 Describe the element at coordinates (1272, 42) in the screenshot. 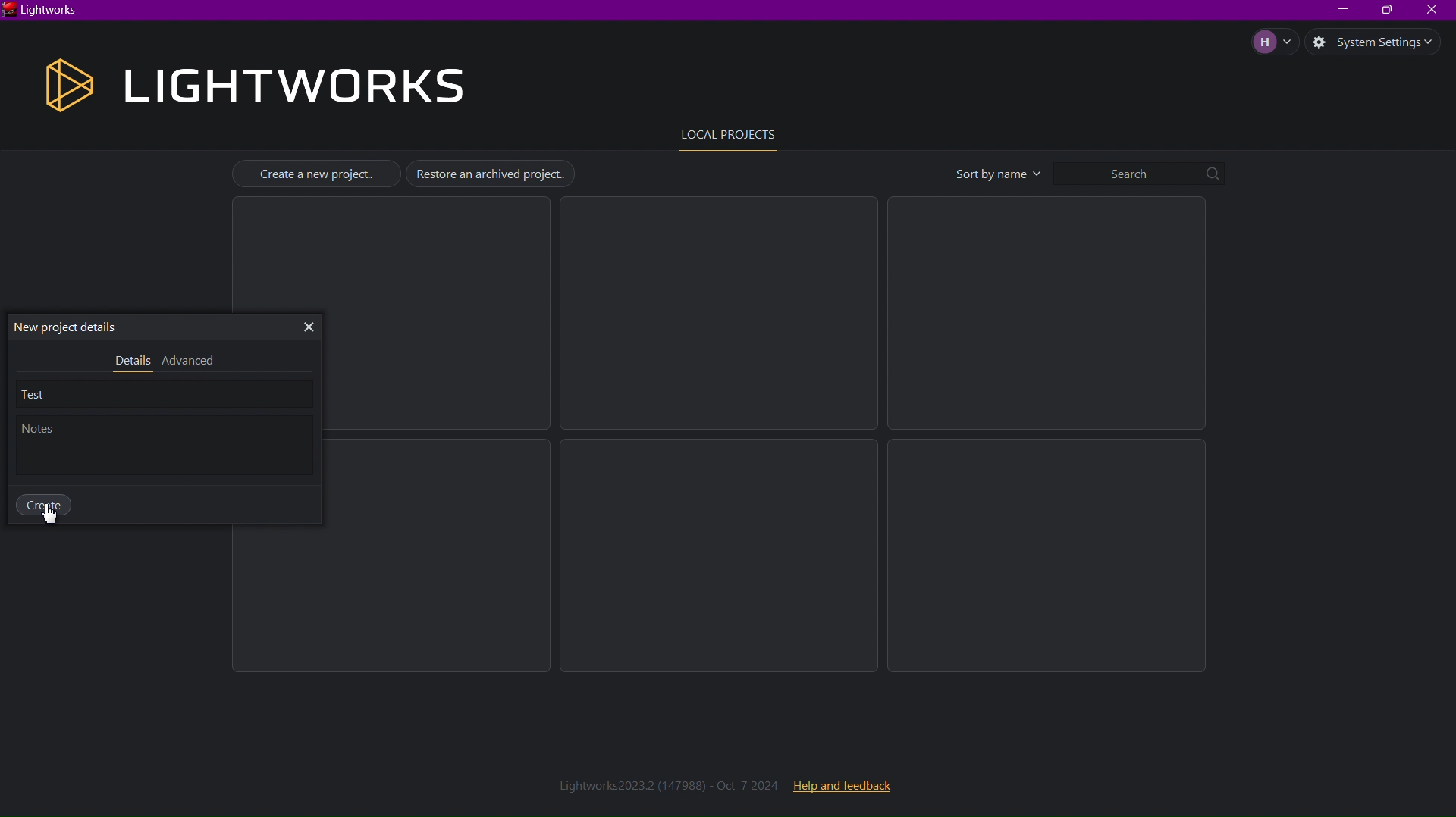

I see `Account` at that location.